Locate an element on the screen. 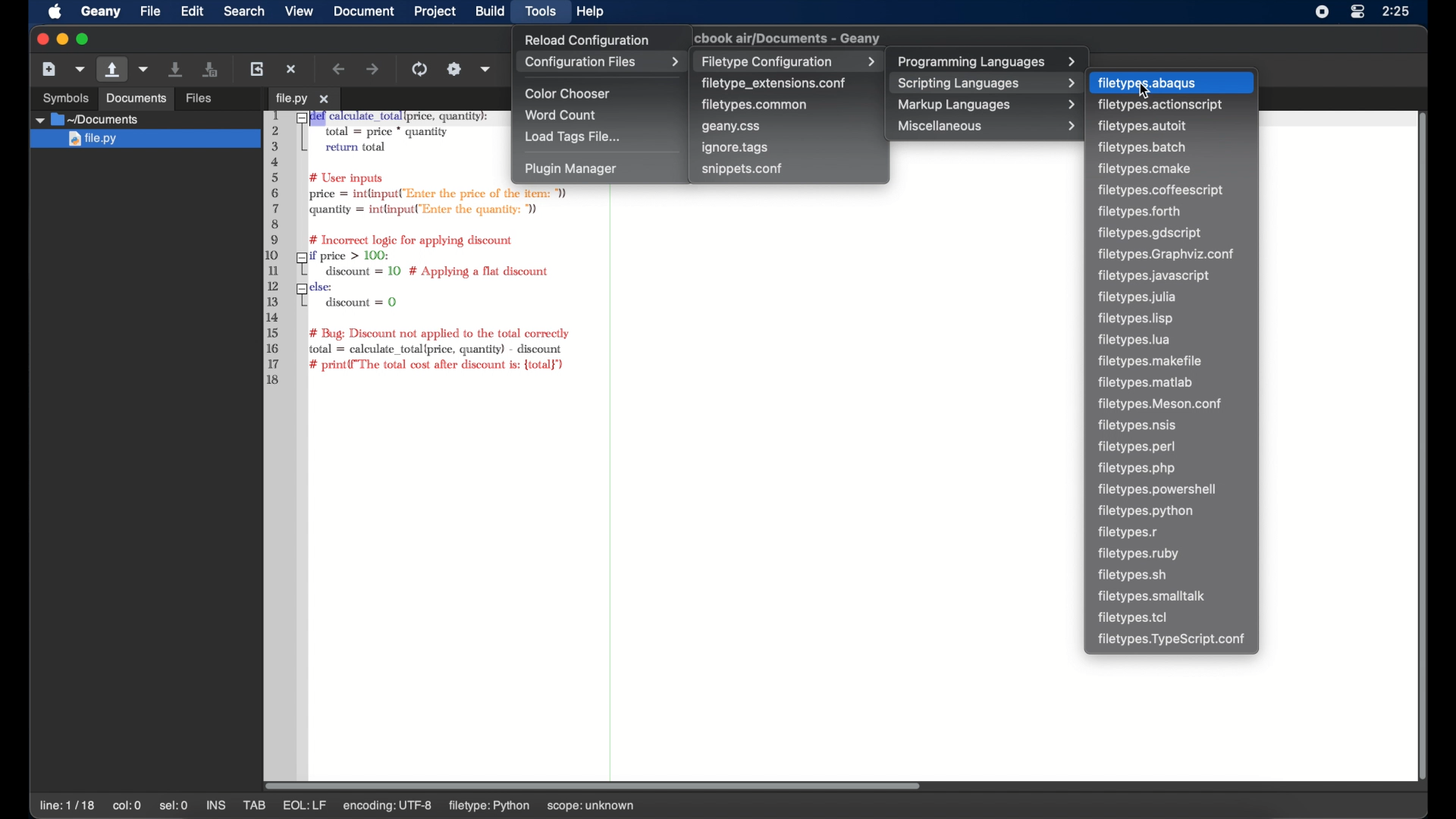 The width and height of the screenshot is (1456, 819). open an existing file is located at coordinates (222, 99).